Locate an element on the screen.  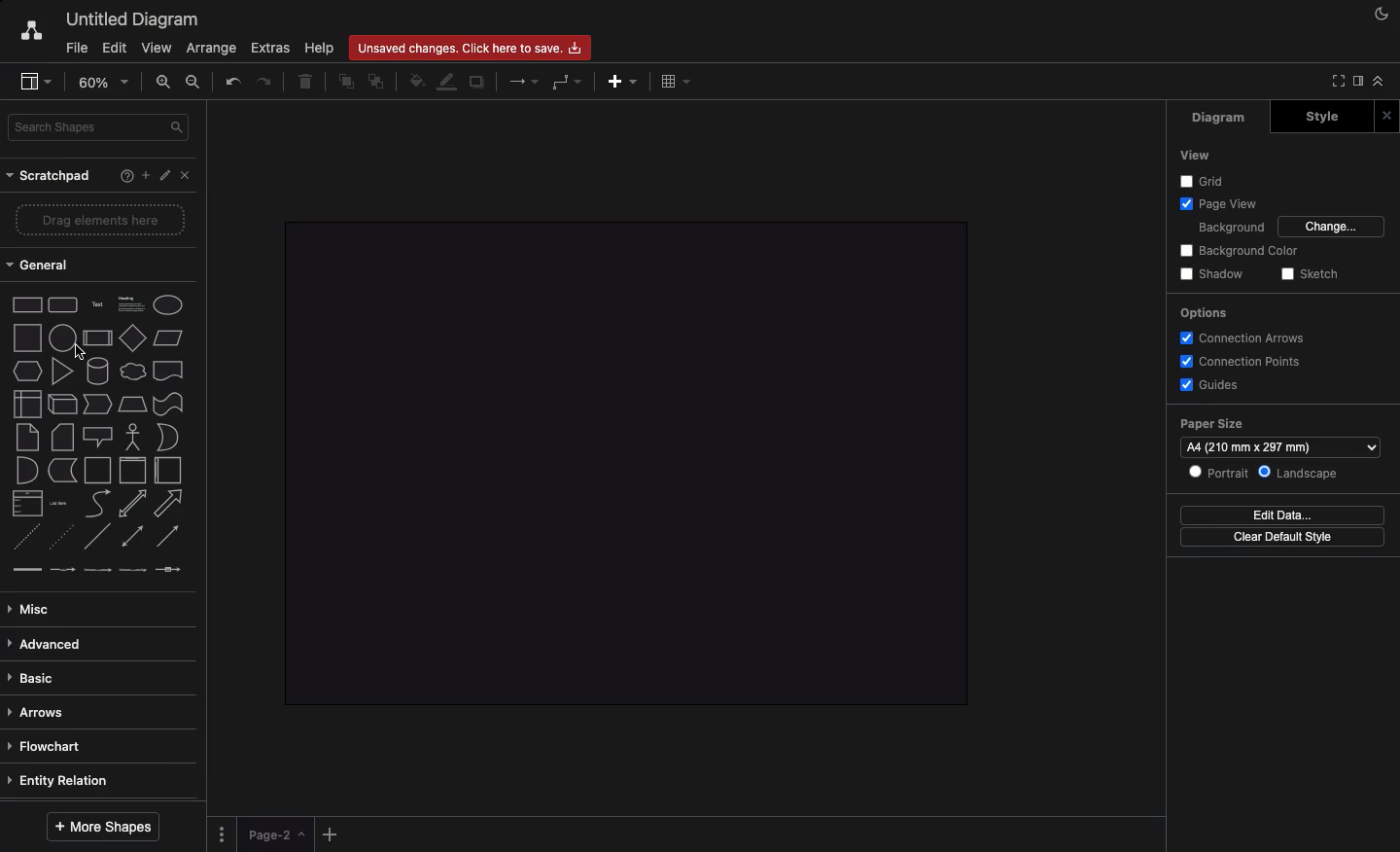
File is located at coordinates (80, 48).